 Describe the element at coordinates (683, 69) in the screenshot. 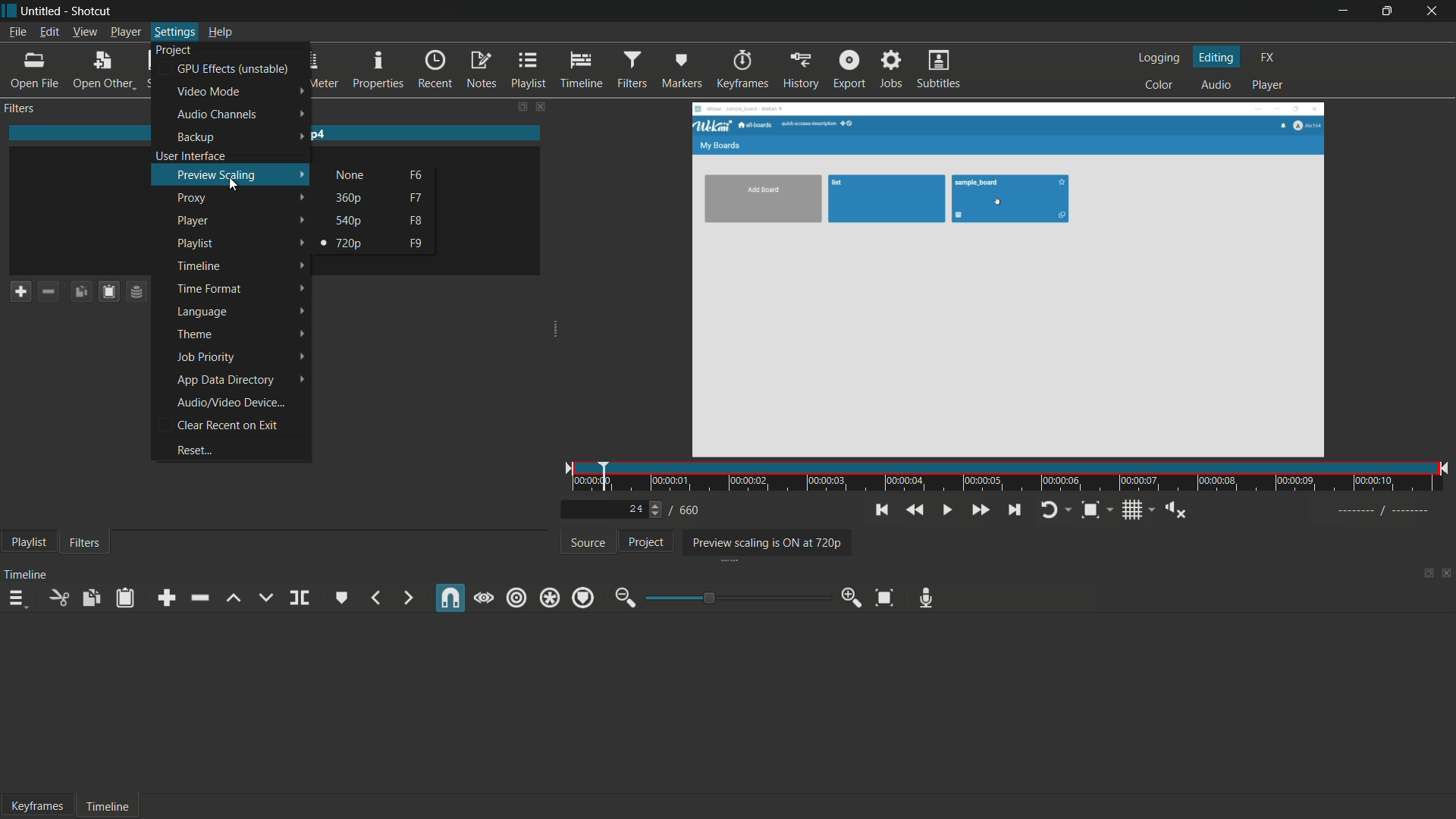

I see `markers` at that location.